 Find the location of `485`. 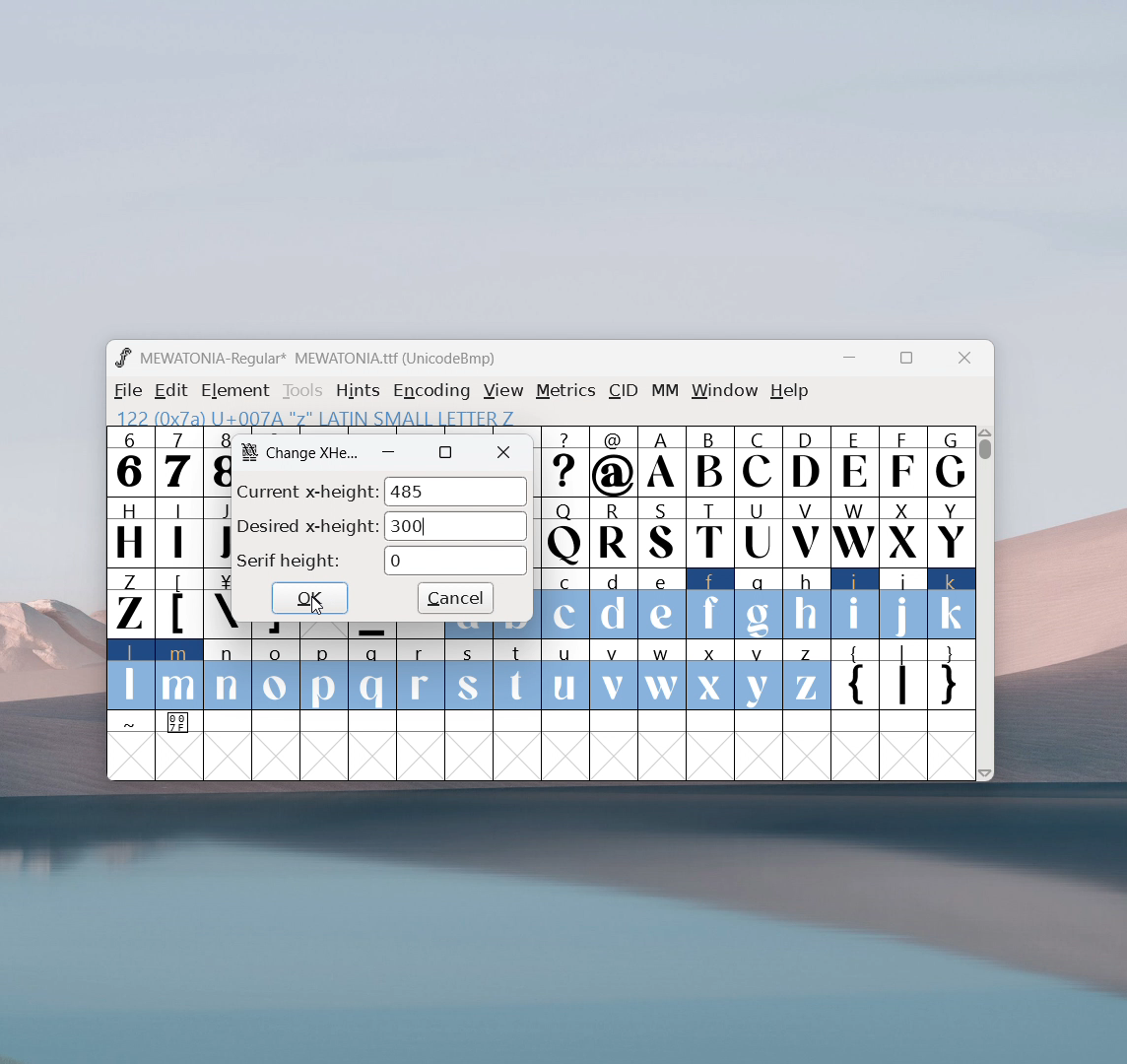

485 is located at coordinates (455, 492).